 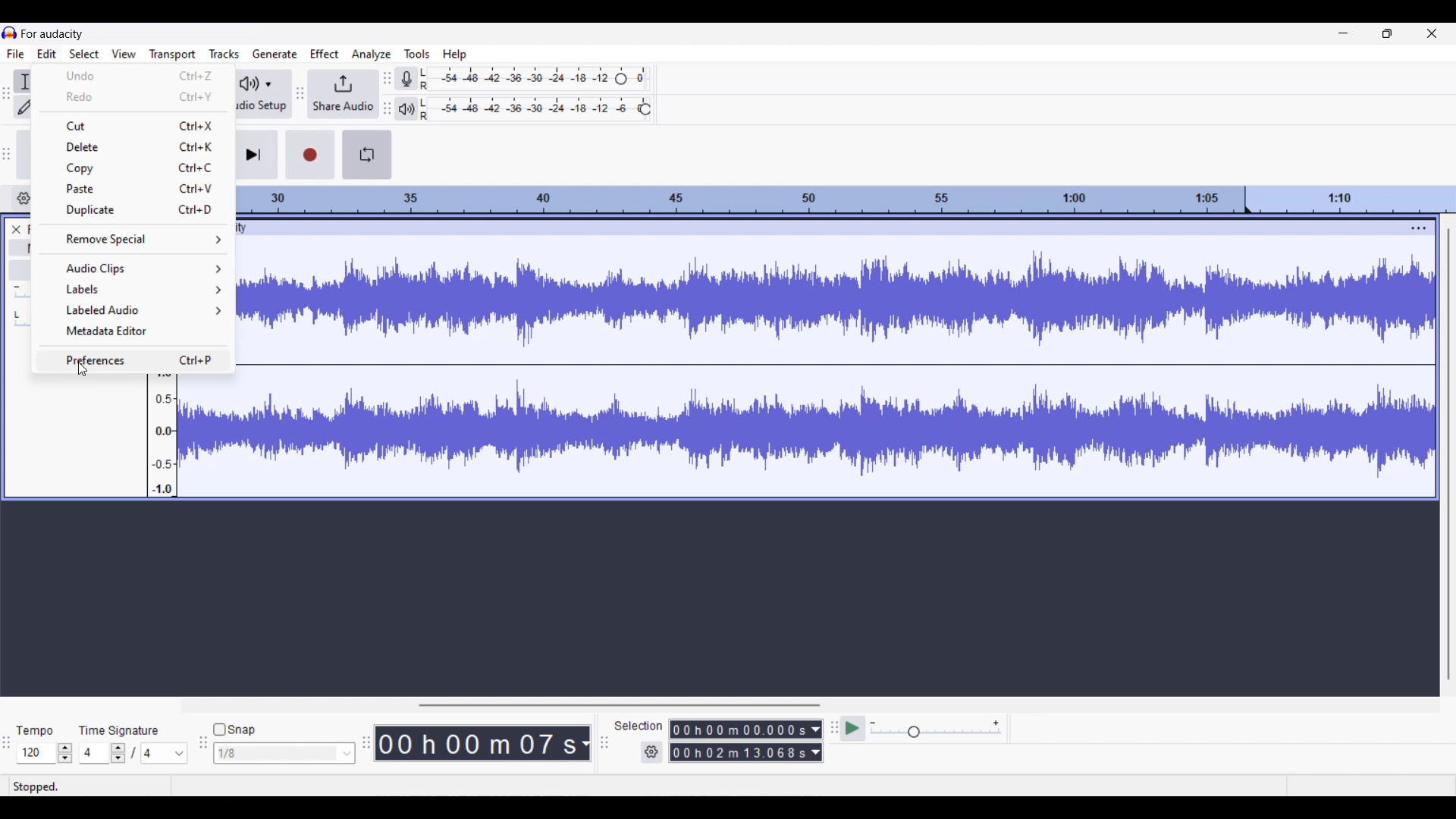 I want to click on Delete, so click(x=135, y=146).